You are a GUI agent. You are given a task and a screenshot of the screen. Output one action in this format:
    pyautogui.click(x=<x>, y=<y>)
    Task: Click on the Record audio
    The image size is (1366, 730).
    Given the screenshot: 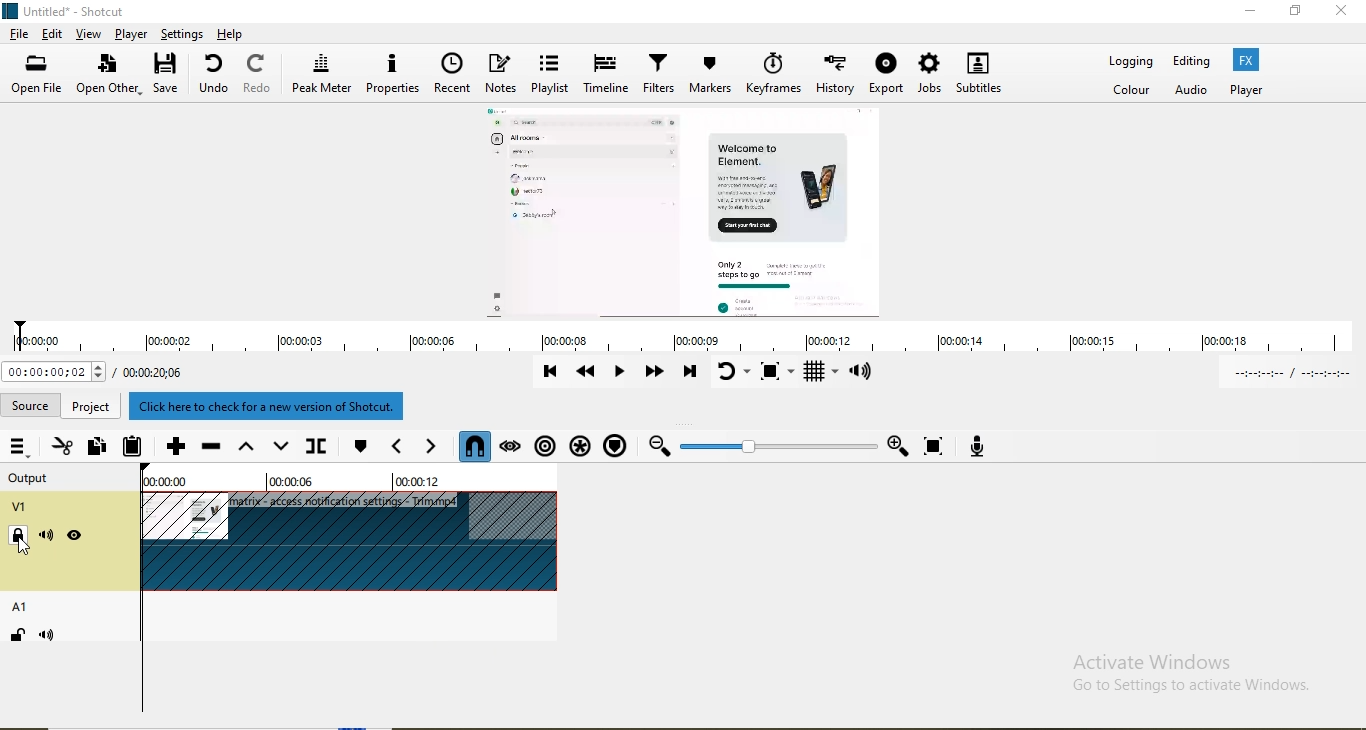 What is the action you would take?
    pyautogui.click(x=973, y=444)
    